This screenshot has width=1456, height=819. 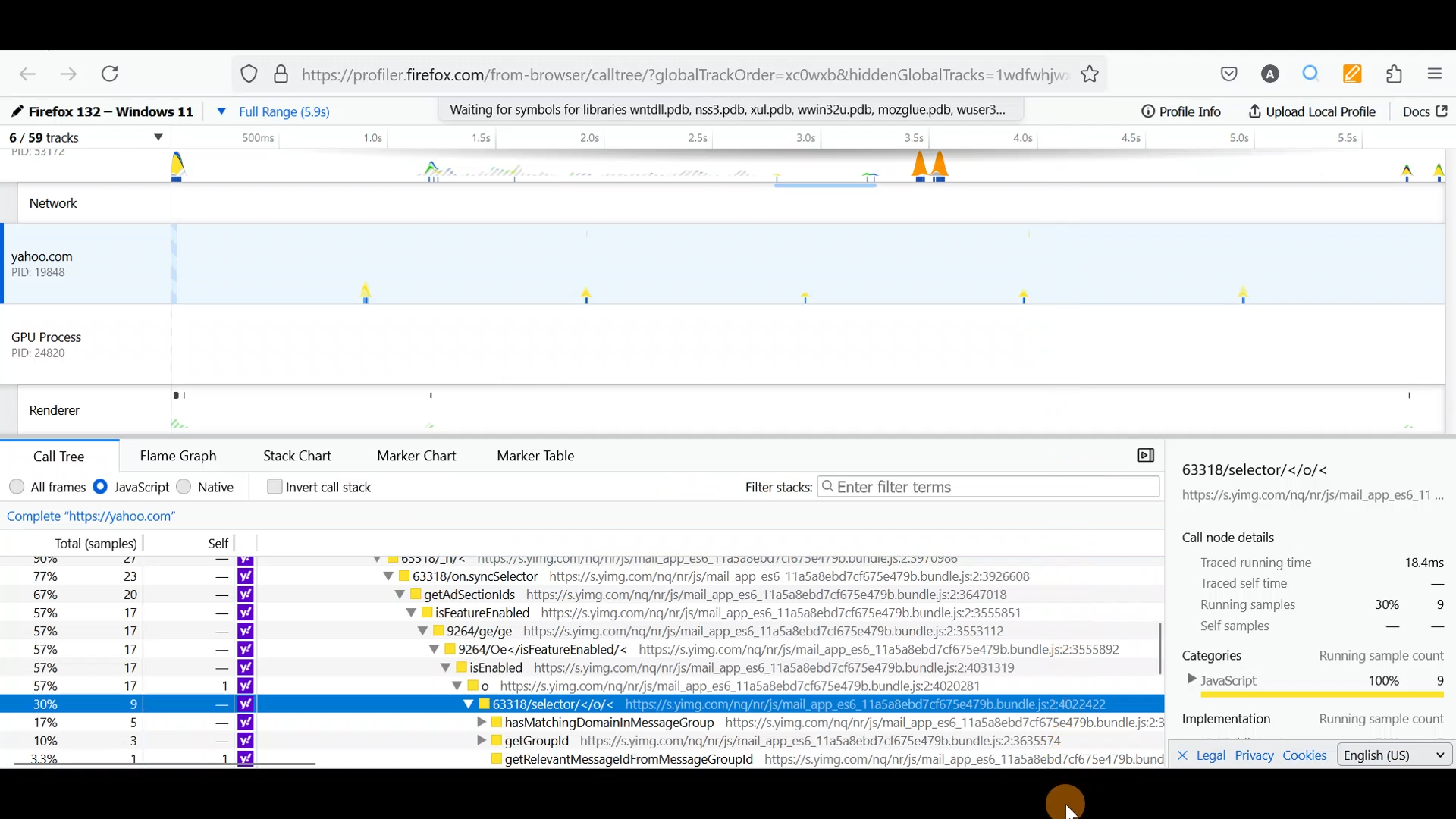 I want to click on Filter stacks: | Q Enter filter terms |, so click(x=948, y=485).